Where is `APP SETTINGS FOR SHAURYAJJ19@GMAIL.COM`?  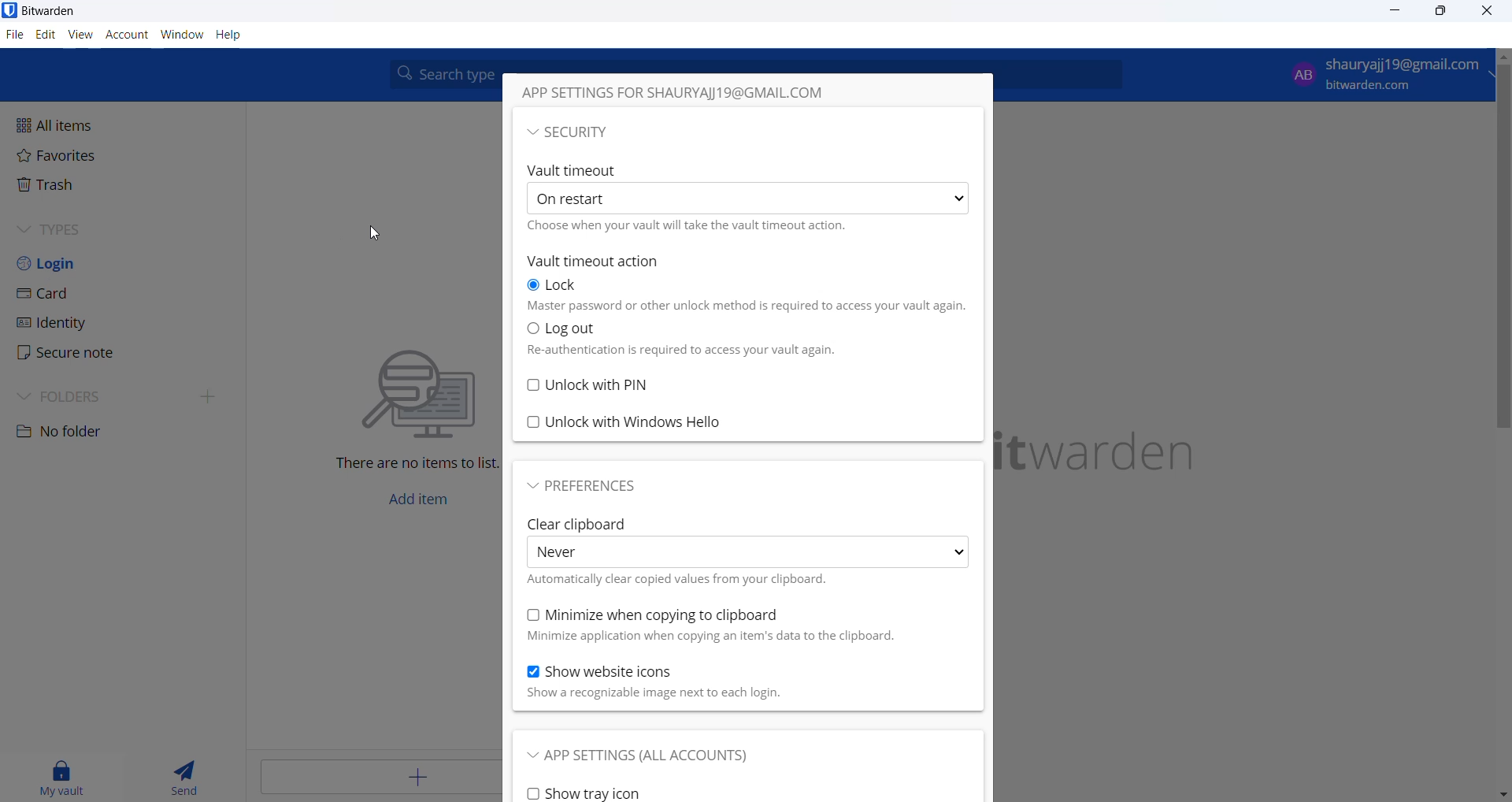 APP SETTINGS FOR SHAURYAJJ19@GMAIL.COM is located at coordinates (708, 95).